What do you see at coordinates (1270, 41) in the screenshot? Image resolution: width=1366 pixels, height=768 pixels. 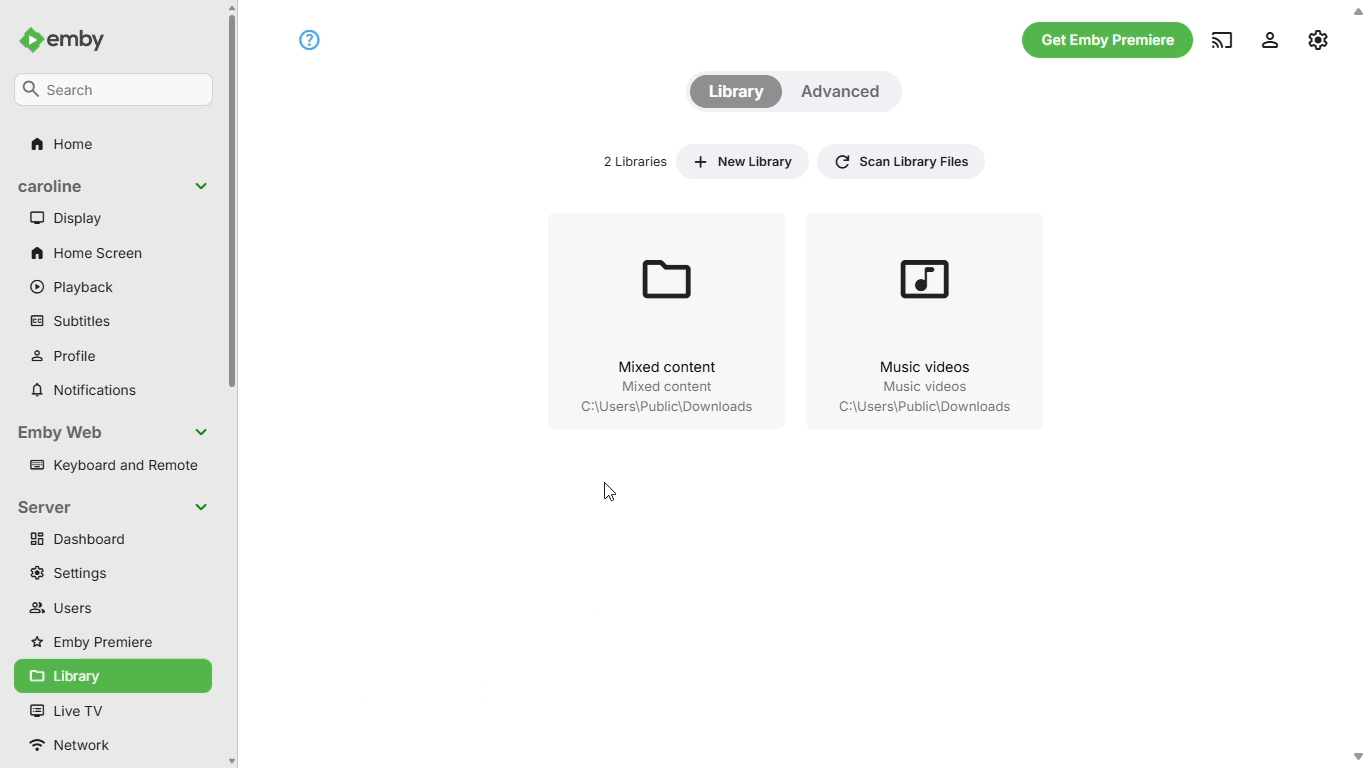 I see `manage emby server` at bounding box center [1270, 41].